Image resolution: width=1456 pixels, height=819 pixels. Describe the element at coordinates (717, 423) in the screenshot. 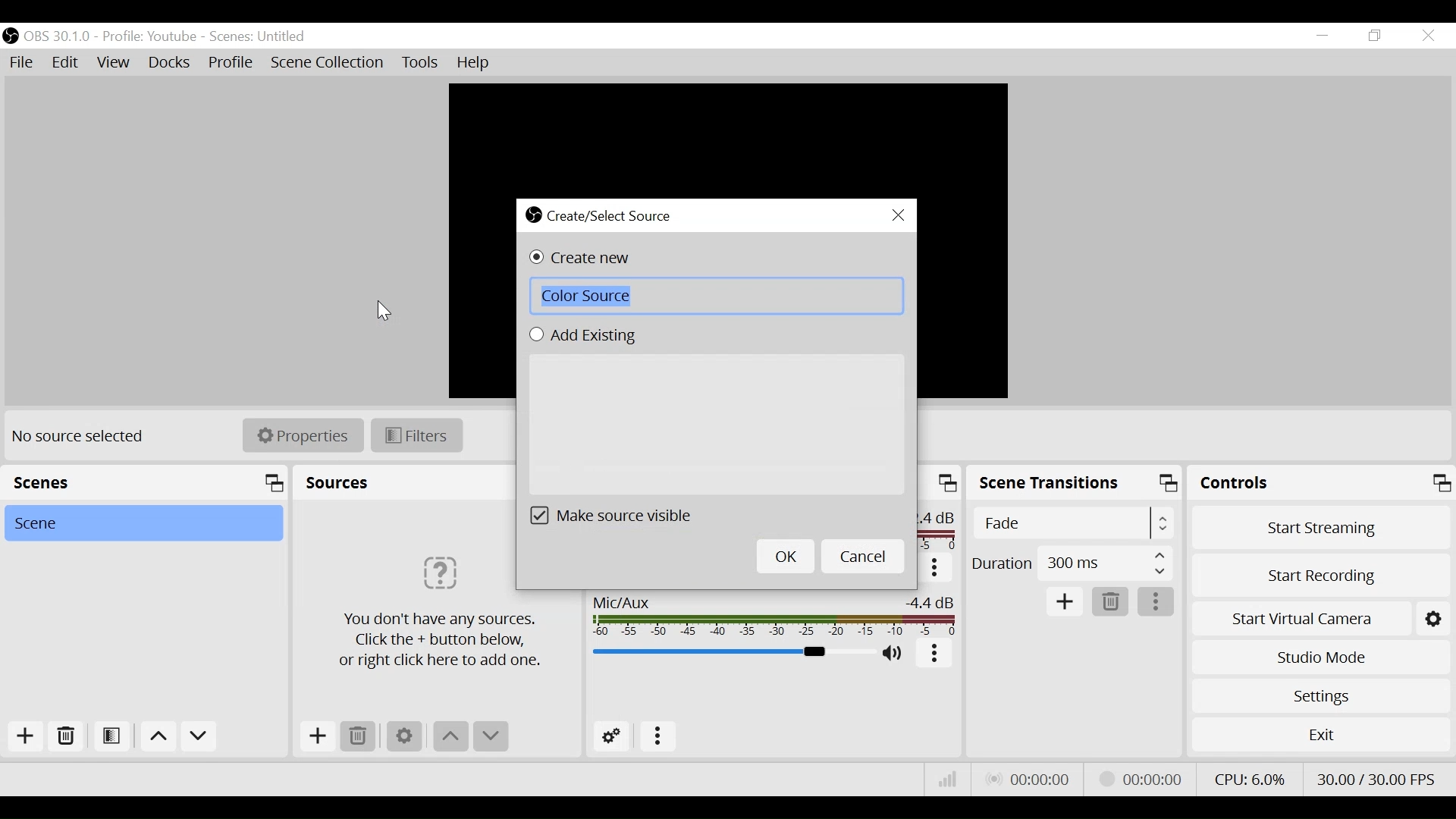

I see `Add Existing Field` at that location.